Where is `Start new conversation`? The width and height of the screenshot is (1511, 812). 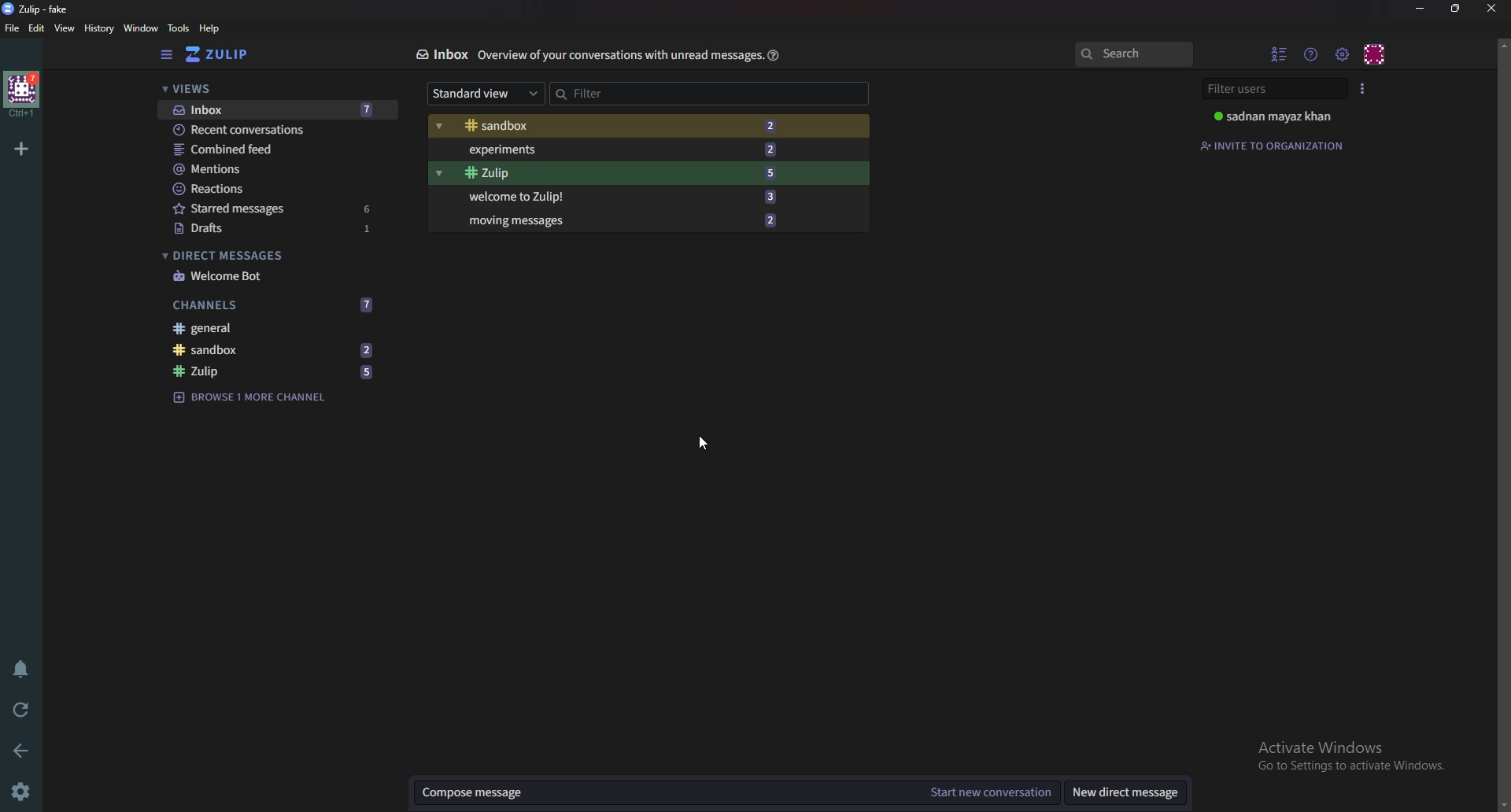 Start new conversation is located at coordinates (992, 793).